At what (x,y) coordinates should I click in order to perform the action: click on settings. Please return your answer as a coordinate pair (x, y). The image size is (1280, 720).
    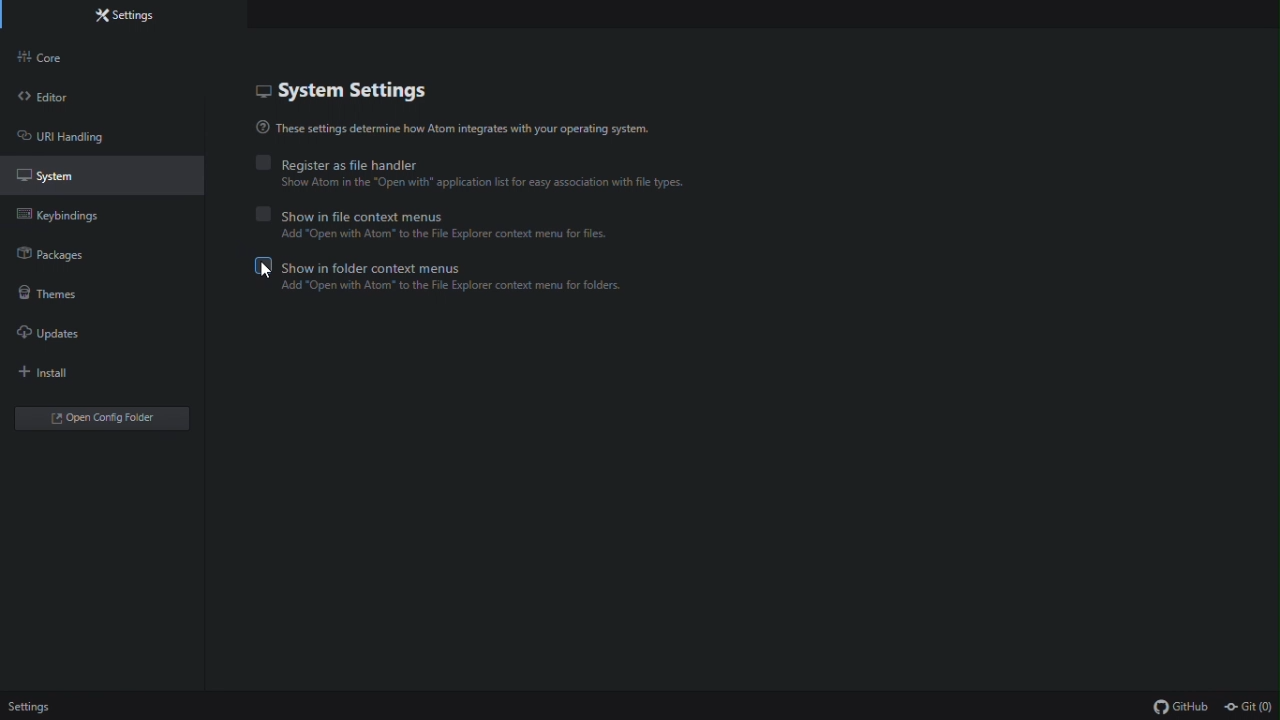
    Looking at the image, I should click on (121, 17).